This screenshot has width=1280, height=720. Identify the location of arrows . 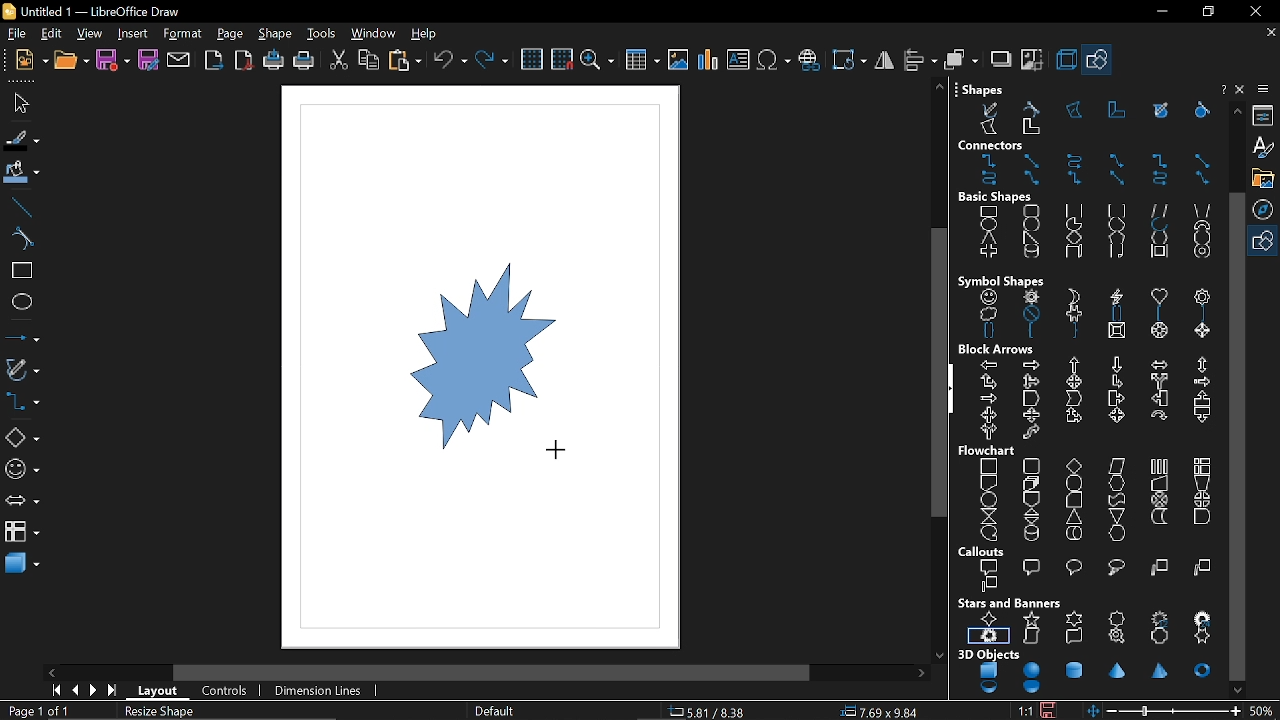
(20, 503).